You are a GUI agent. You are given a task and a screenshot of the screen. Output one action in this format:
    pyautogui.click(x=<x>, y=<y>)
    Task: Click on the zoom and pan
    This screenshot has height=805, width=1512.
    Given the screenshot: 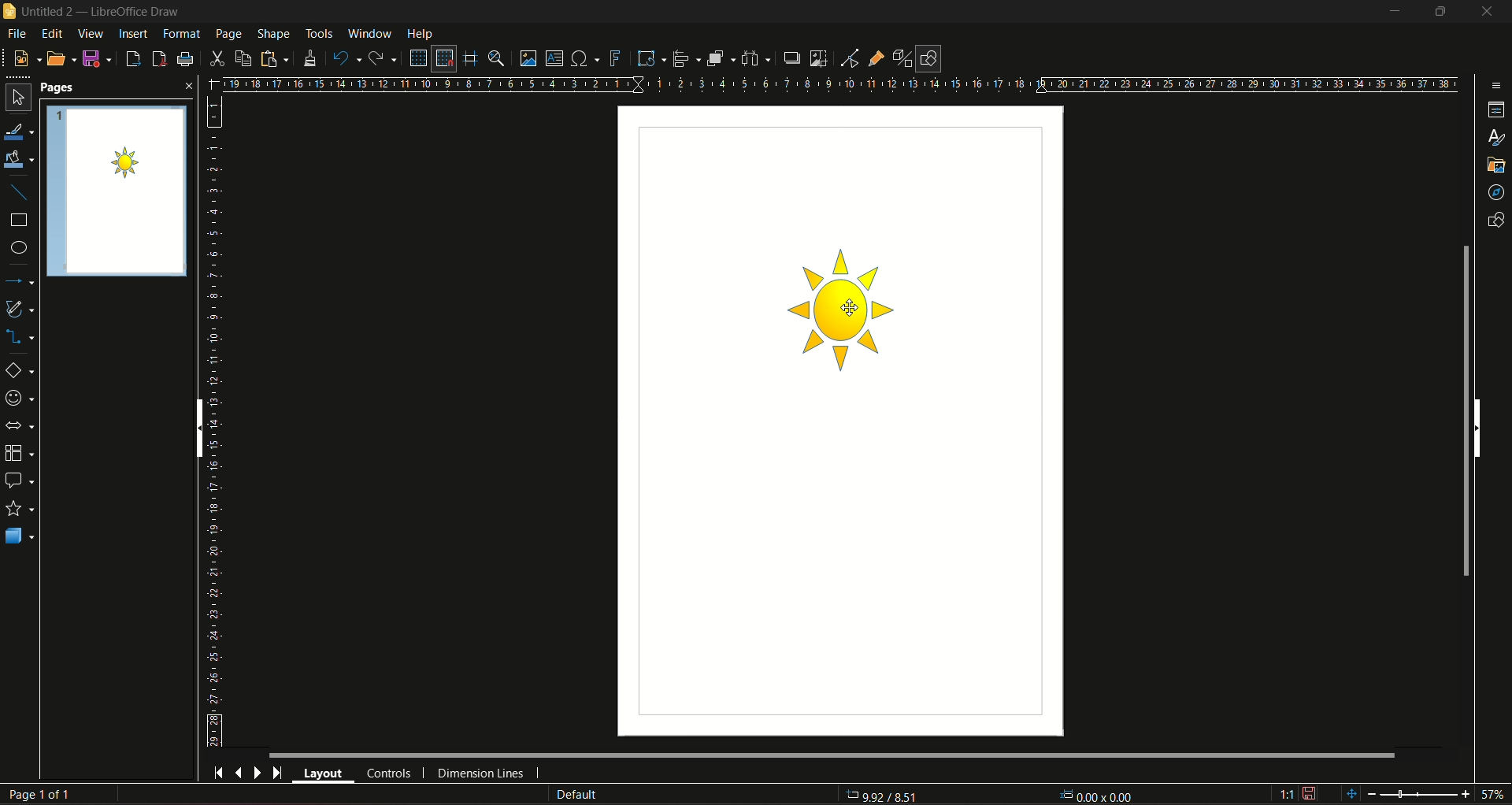 What is the action you would take?
    pyautogui.click(x=495, y=59)
    